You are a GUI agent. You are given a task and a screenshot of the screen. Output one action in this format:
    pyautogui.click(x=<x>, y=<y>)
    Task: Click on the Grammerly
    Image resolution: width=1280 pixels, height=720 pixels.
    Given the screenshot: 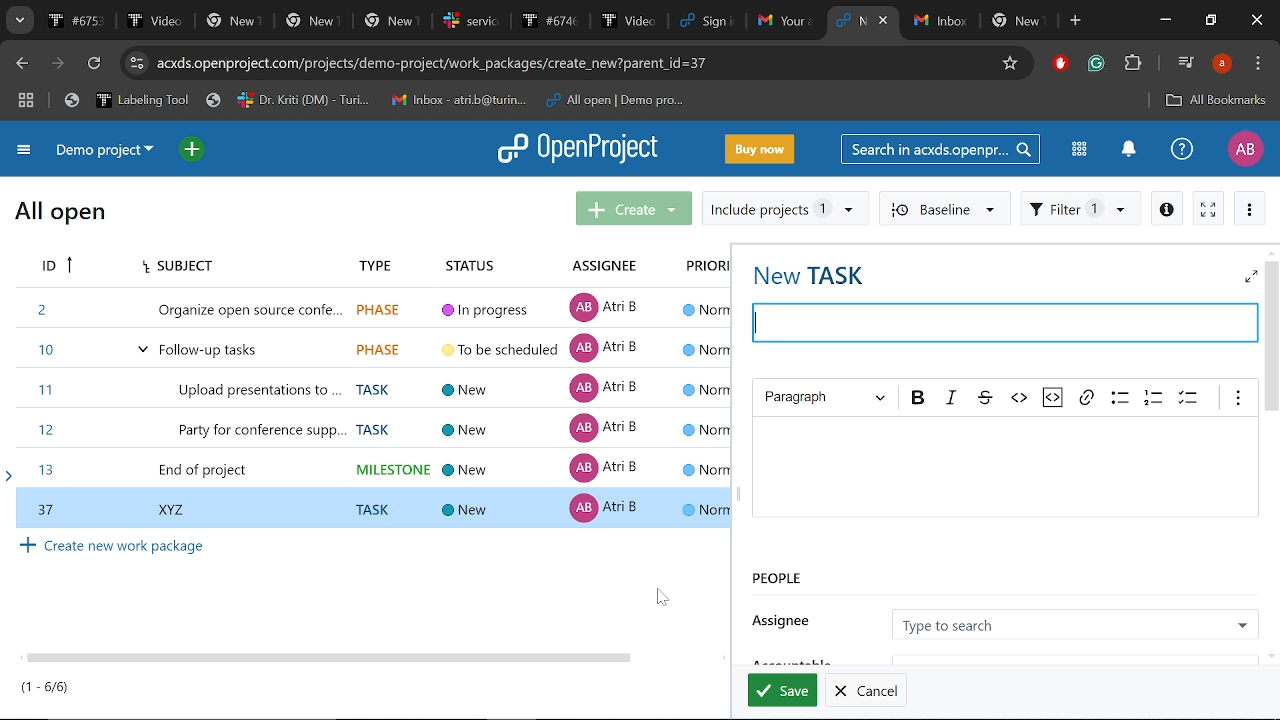 What is the action you would take?
    pyautogui.click(x=1098, y=64)
    